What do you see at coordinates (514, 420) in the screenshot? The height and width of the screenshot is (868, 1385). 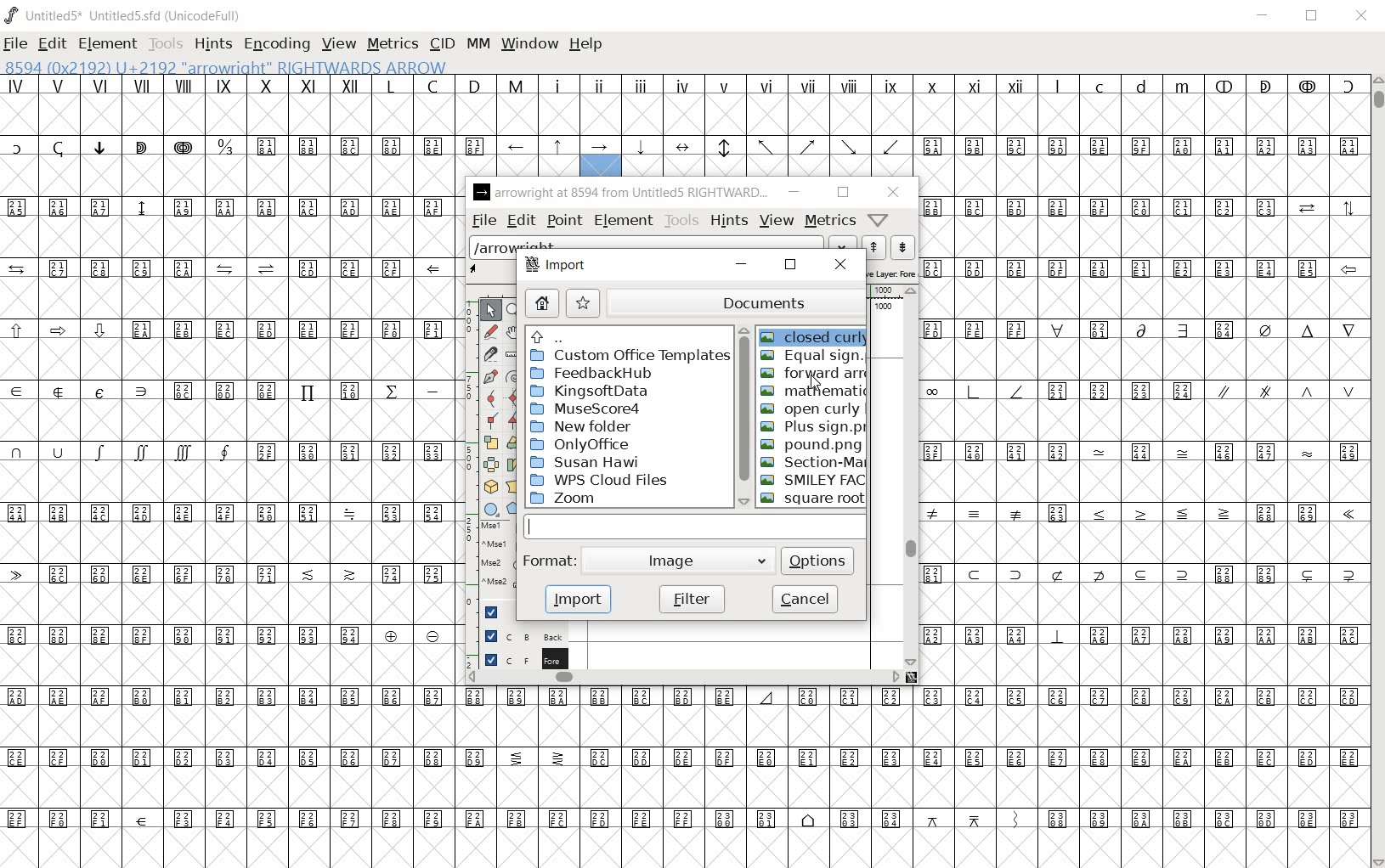 I see `Add a corner point` at bounding box center [514, 420].